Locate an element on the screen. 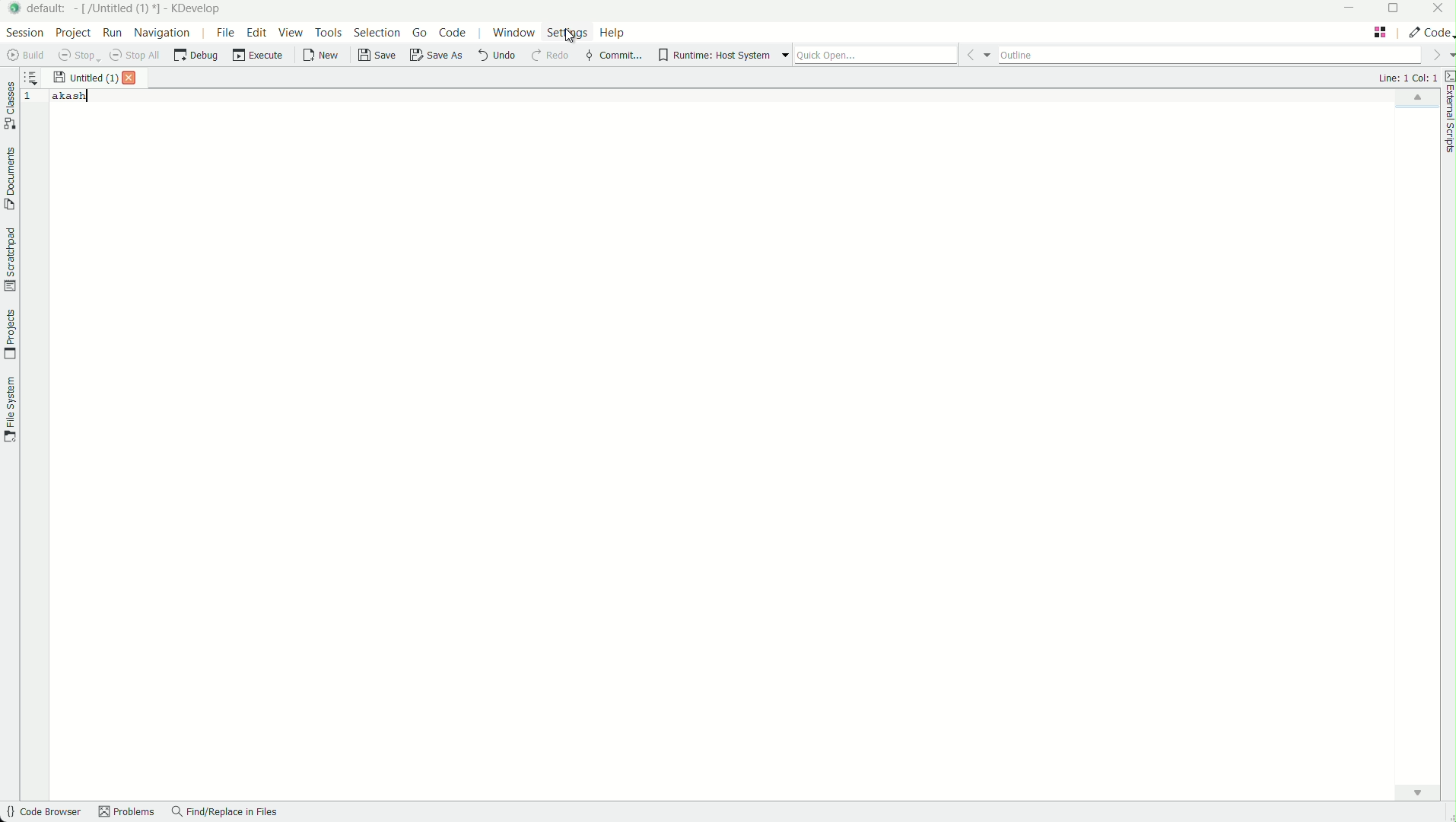 This screenshot has height=822, width=1456. stop is located at coordinates (79, 56).